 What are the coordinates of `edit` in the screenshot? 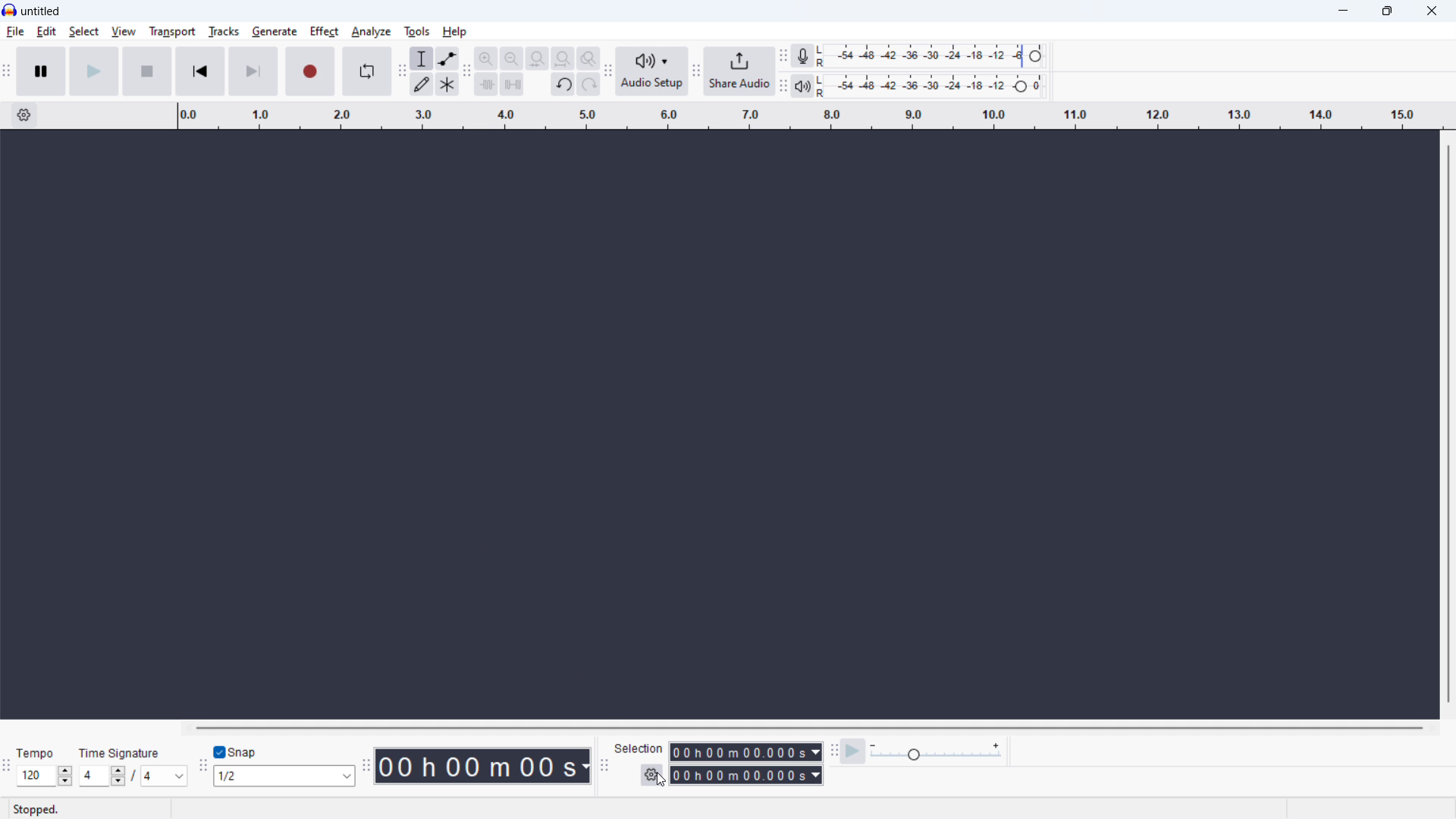 It's located at (46, 33).